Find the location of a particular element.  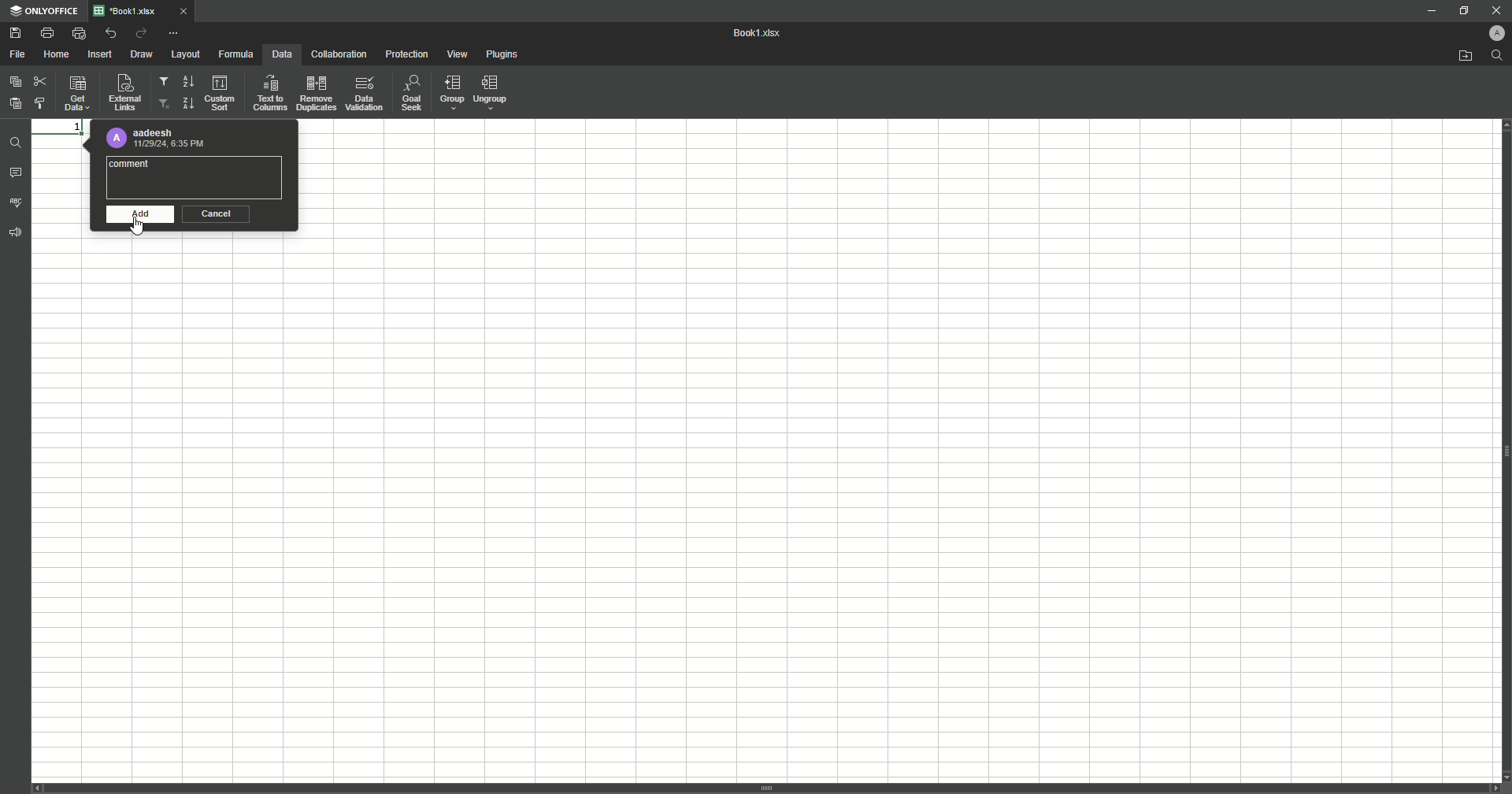

Profile details is located at coordinates (157, 139).